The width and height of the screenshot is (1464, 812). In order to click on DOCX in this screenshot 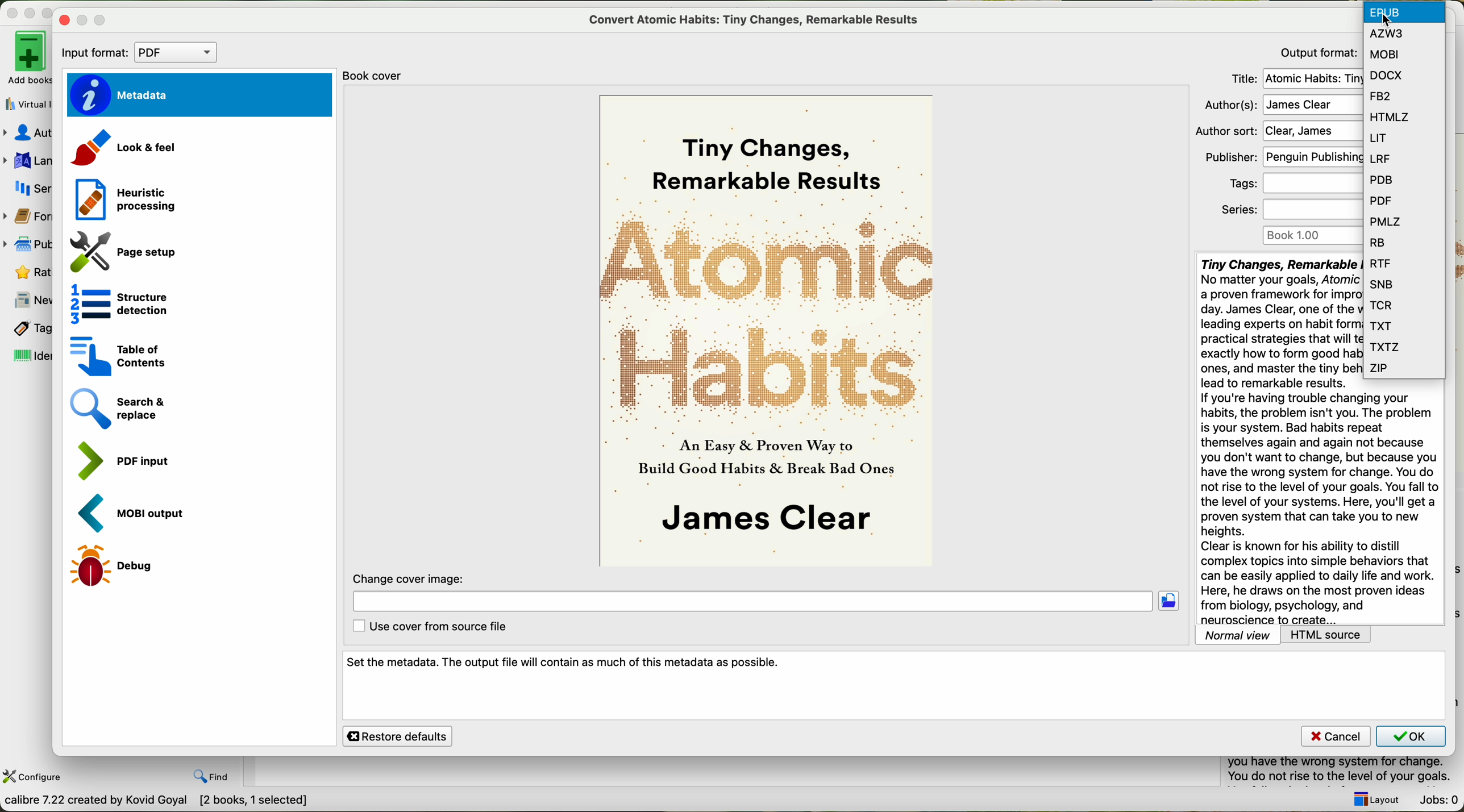, I will do `click(1404, 74)`.